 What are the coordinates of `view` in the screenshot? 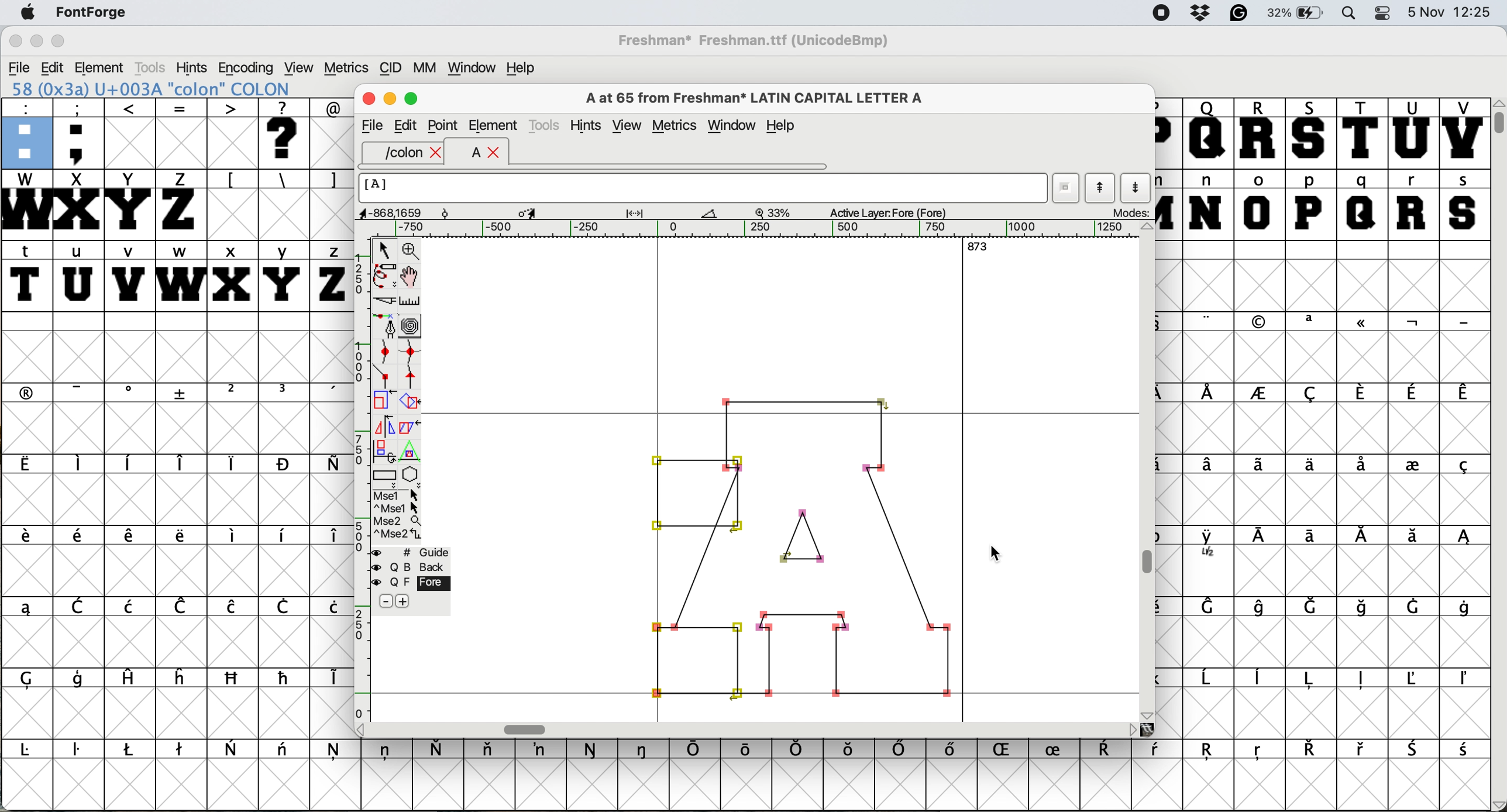 It's located at (301, 67).